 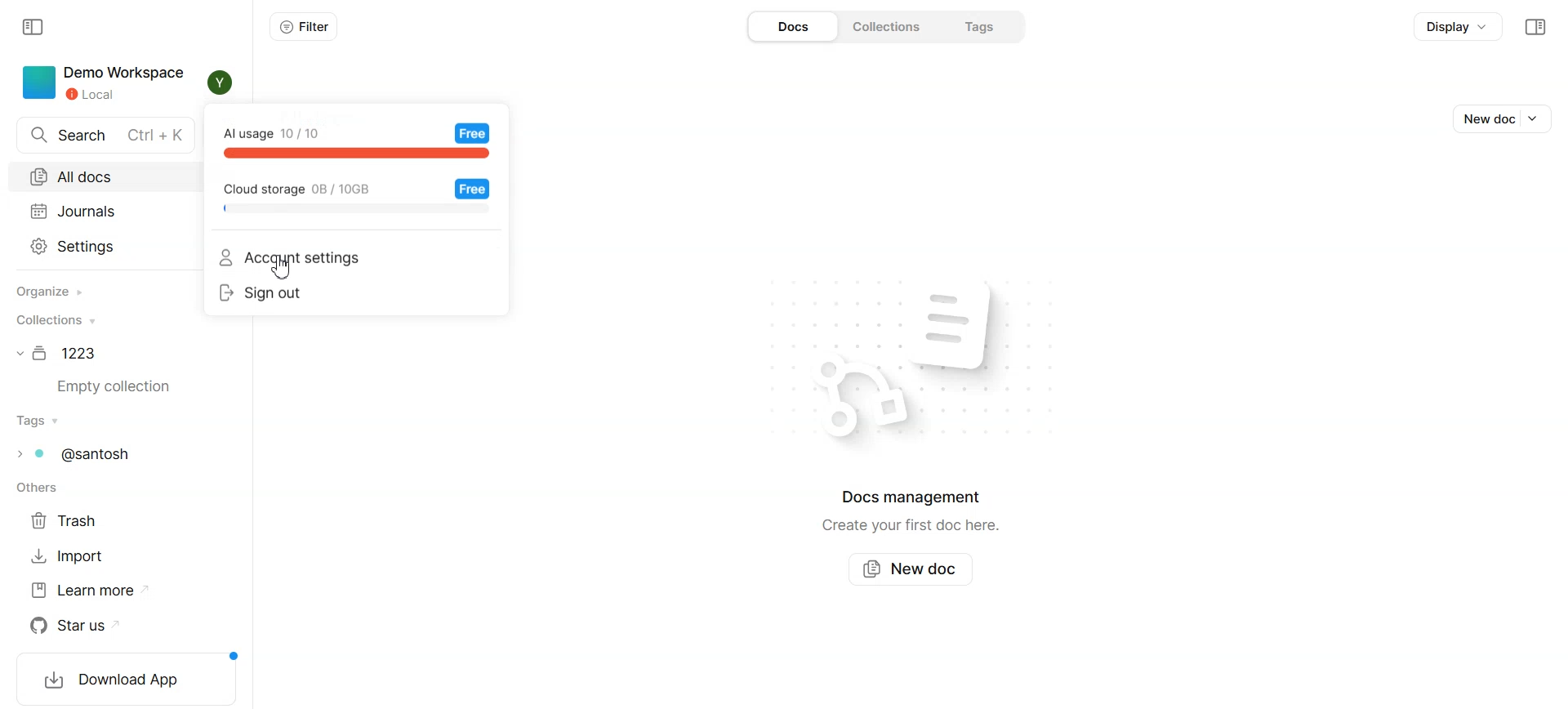 I want to click on  New doc, so click(x=914, y=568).